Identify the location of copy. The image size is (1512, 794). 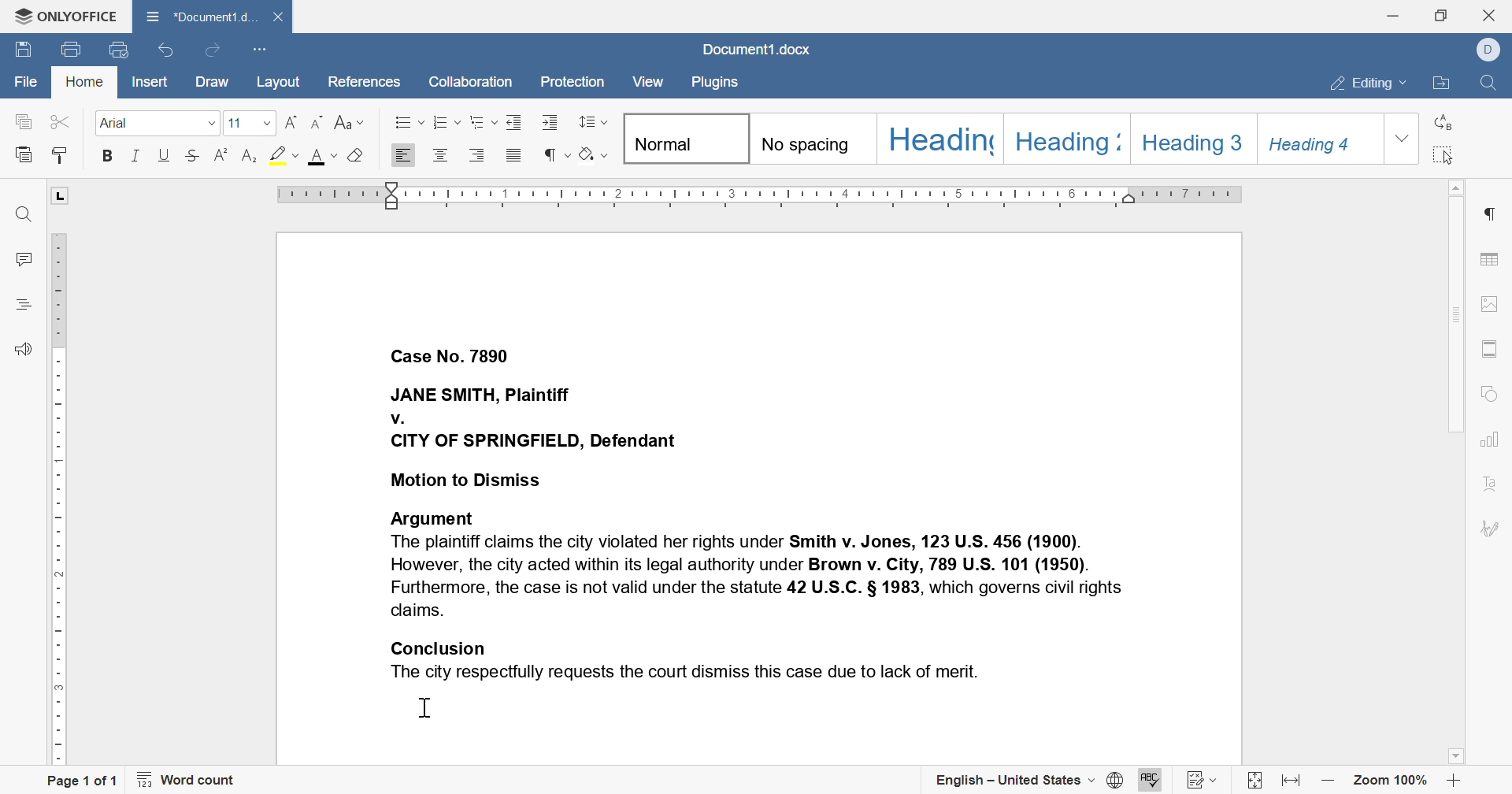
(23, 121).